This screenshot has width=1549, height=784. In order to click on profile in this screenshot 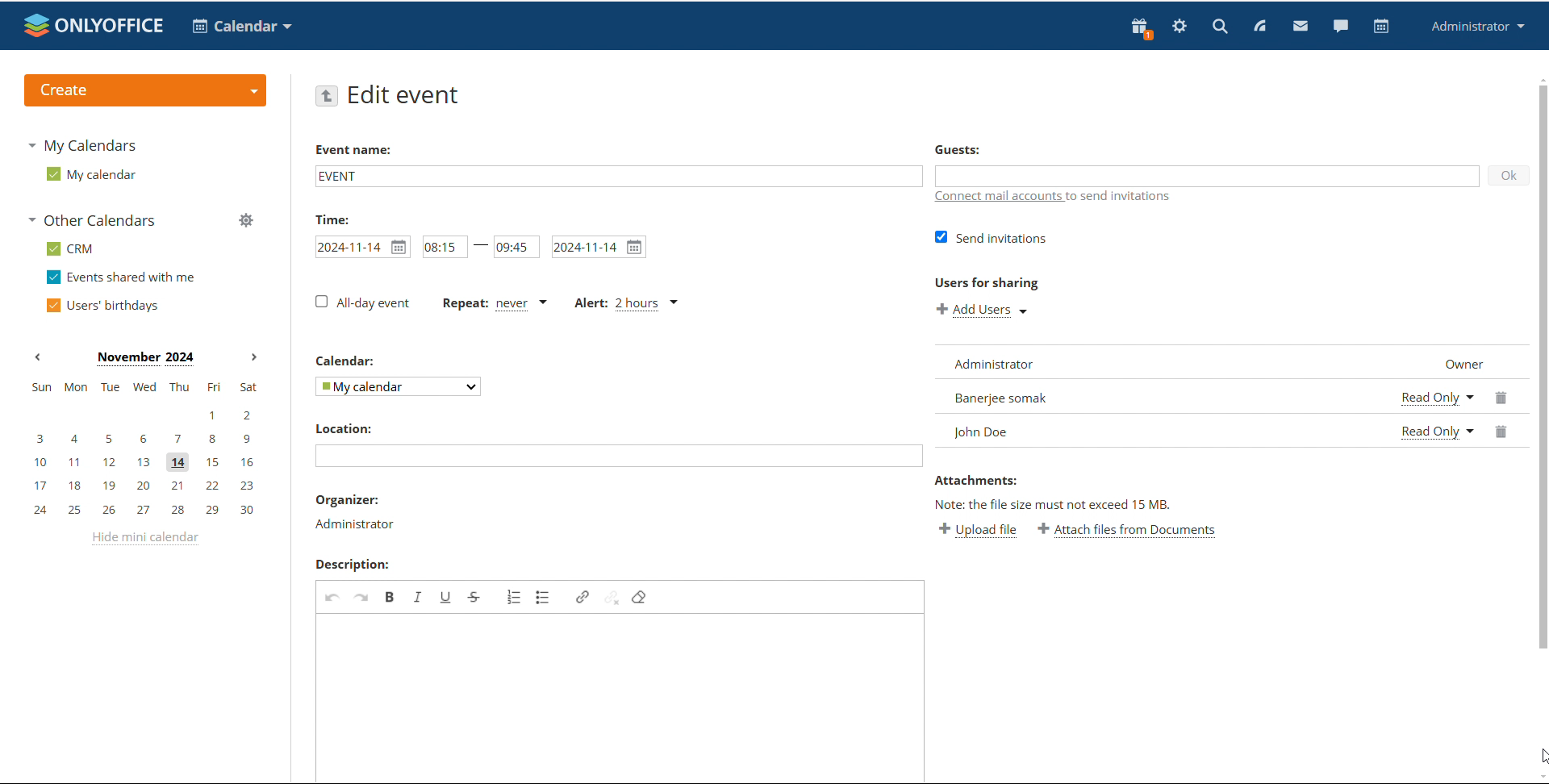, I will do `click(1475, 27)`.